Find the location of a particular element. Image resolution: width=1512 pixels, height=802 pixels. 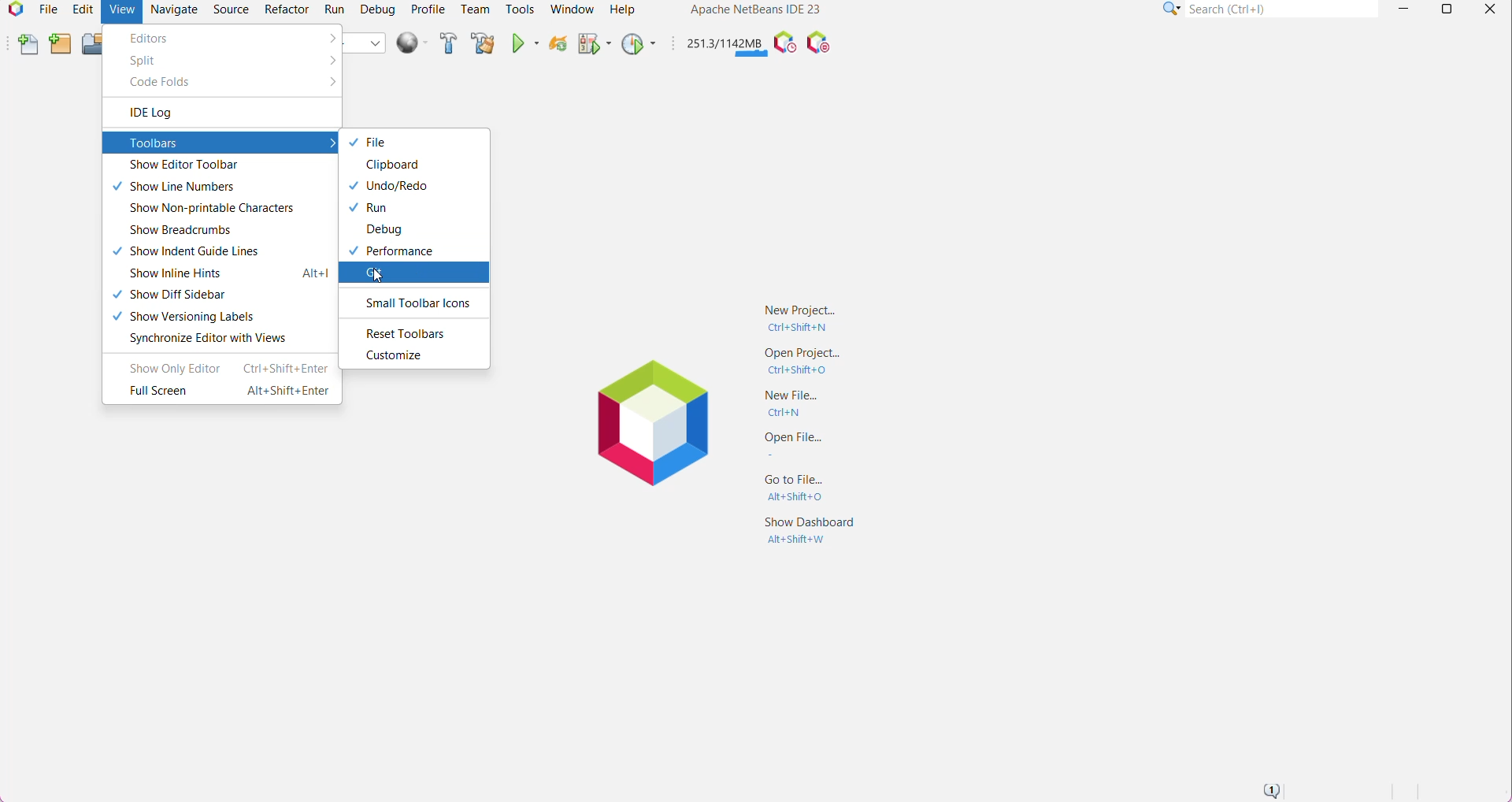

Notifications is located at coordinates (1270, 790).